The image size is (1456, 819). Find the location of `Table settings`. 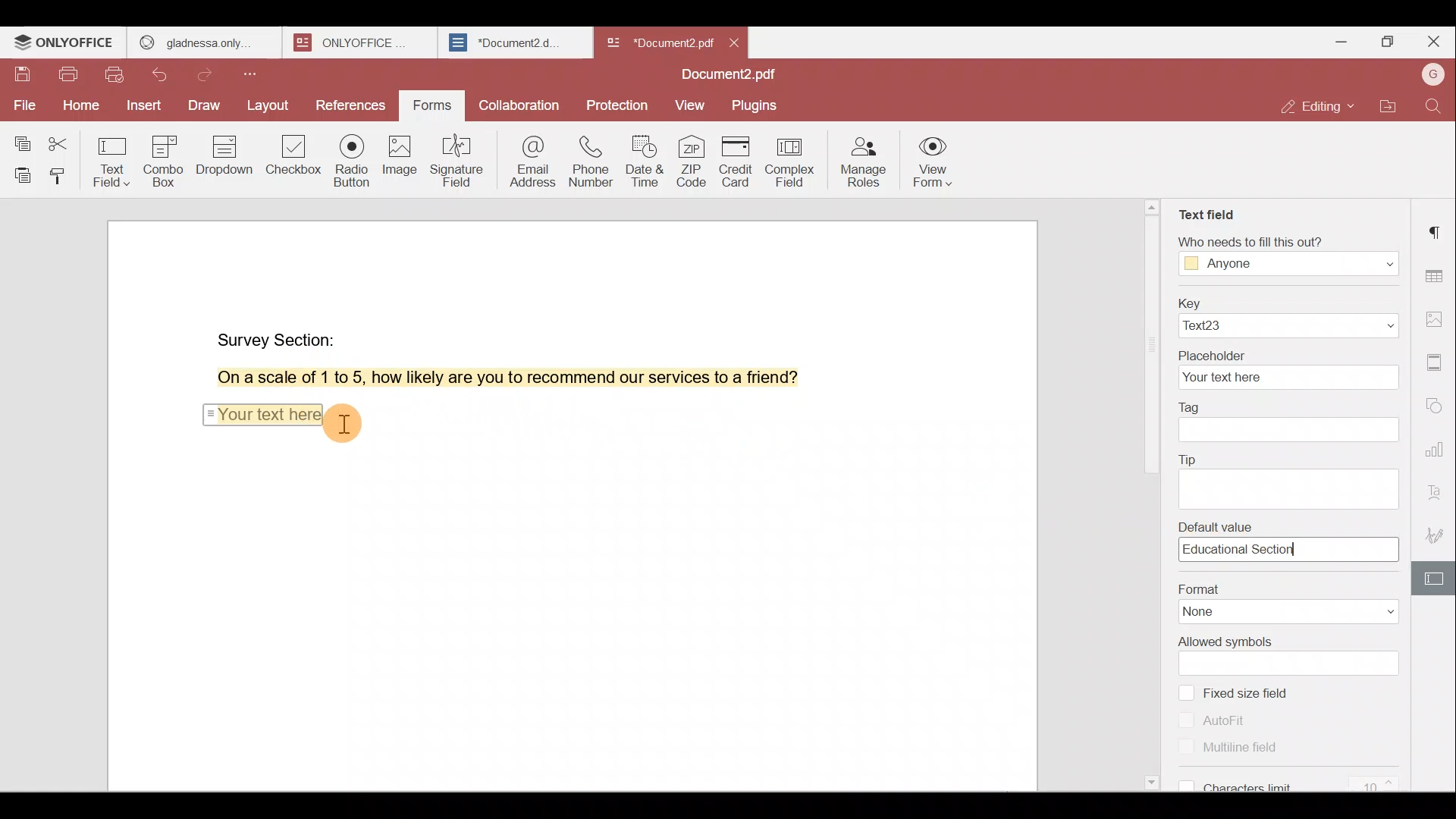

Table settings is located at coordinates (1436, 272).